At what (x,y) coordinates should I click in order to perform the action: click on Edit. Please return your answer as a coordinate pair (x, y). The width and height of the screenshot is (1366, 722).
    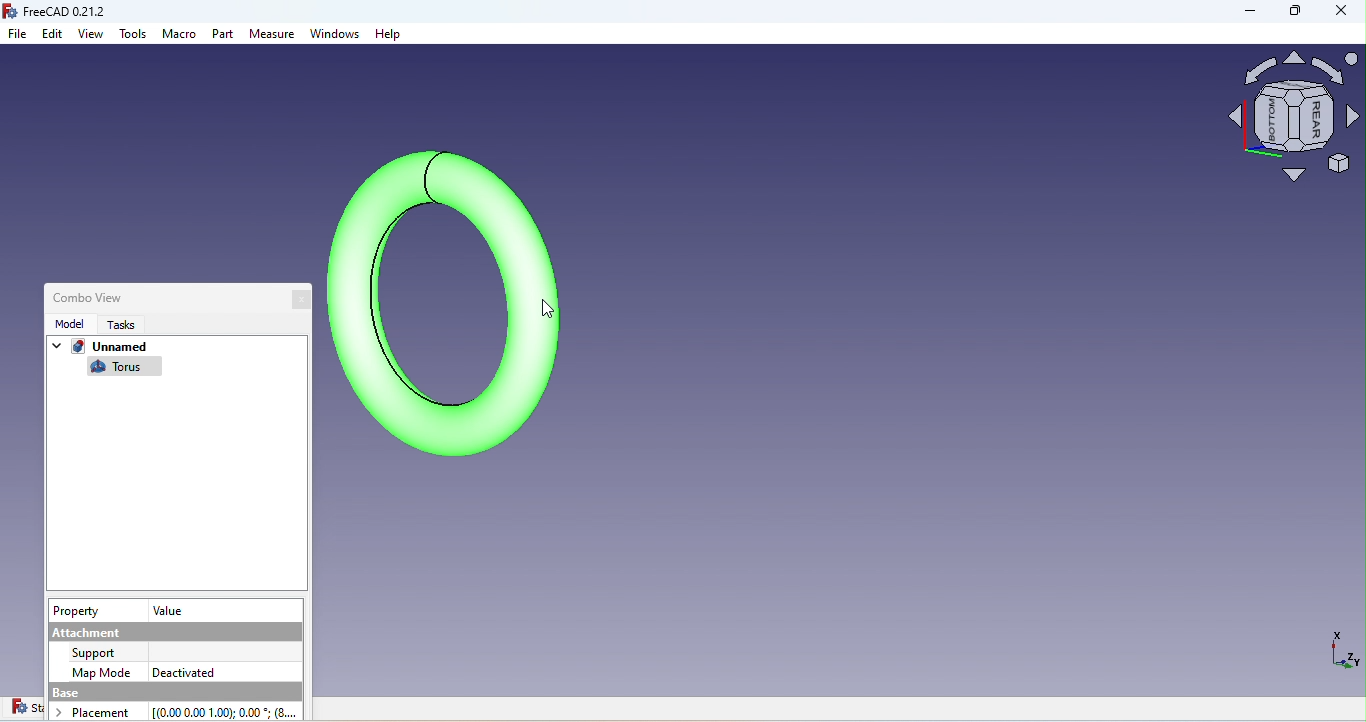
    Looking at the image, I should click on (53, 35).